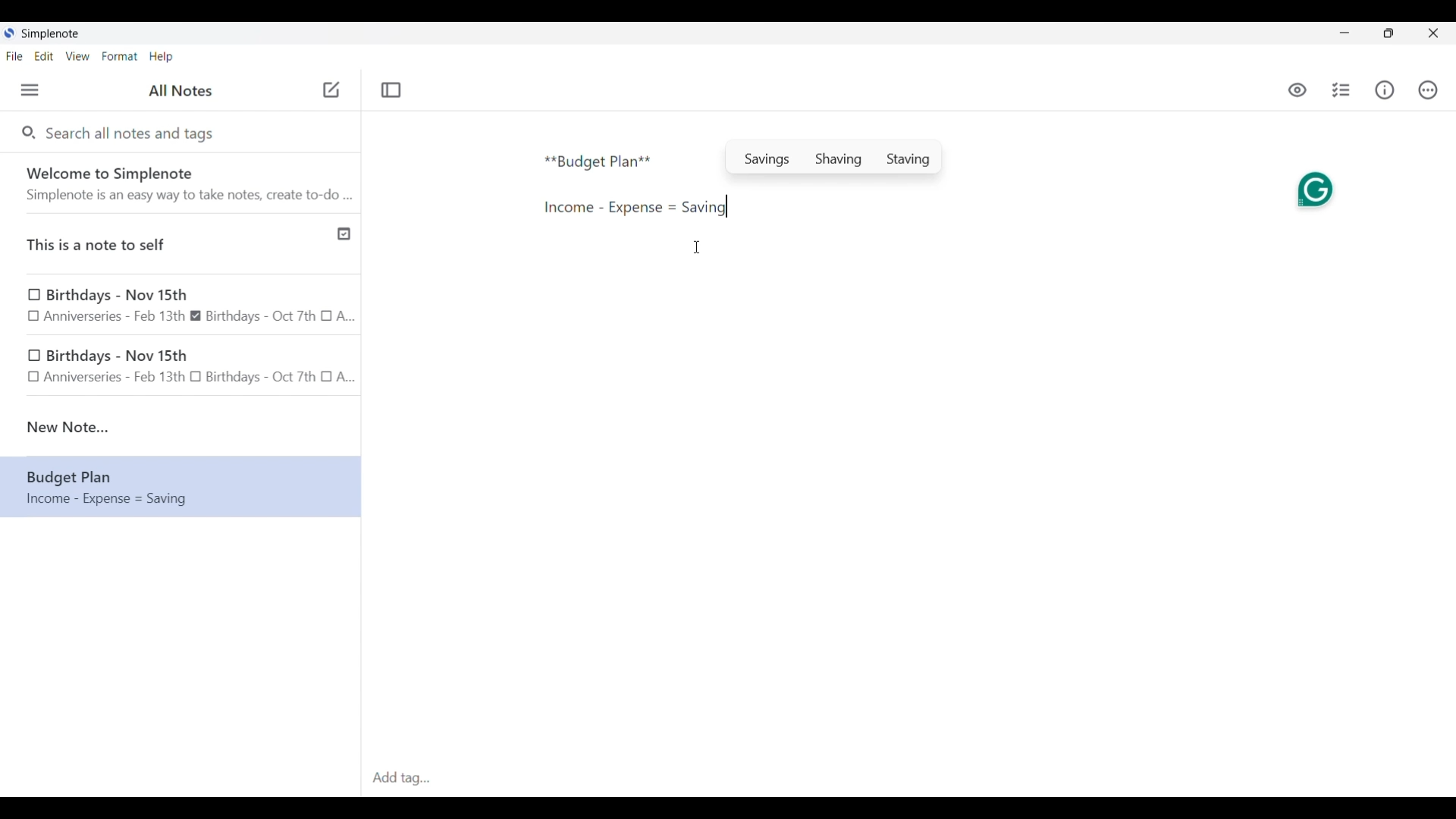  Describe the element at coordinates (184, 183) in the screenshot. I see `Software welcome note` at that location.